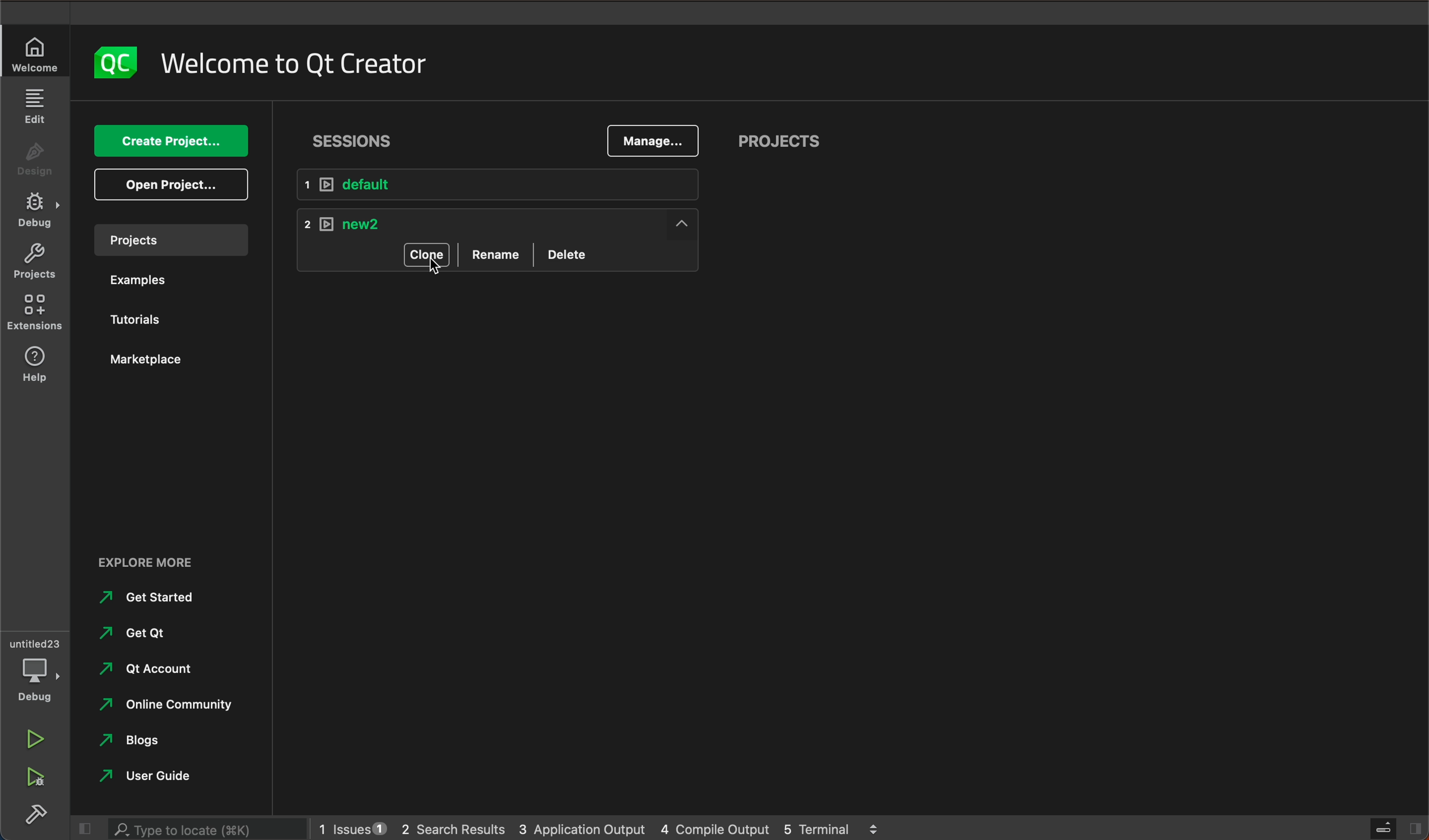 Image resolution: width=1429 pixels, height=840 pixels. I want to click on run, so click(35, 739).